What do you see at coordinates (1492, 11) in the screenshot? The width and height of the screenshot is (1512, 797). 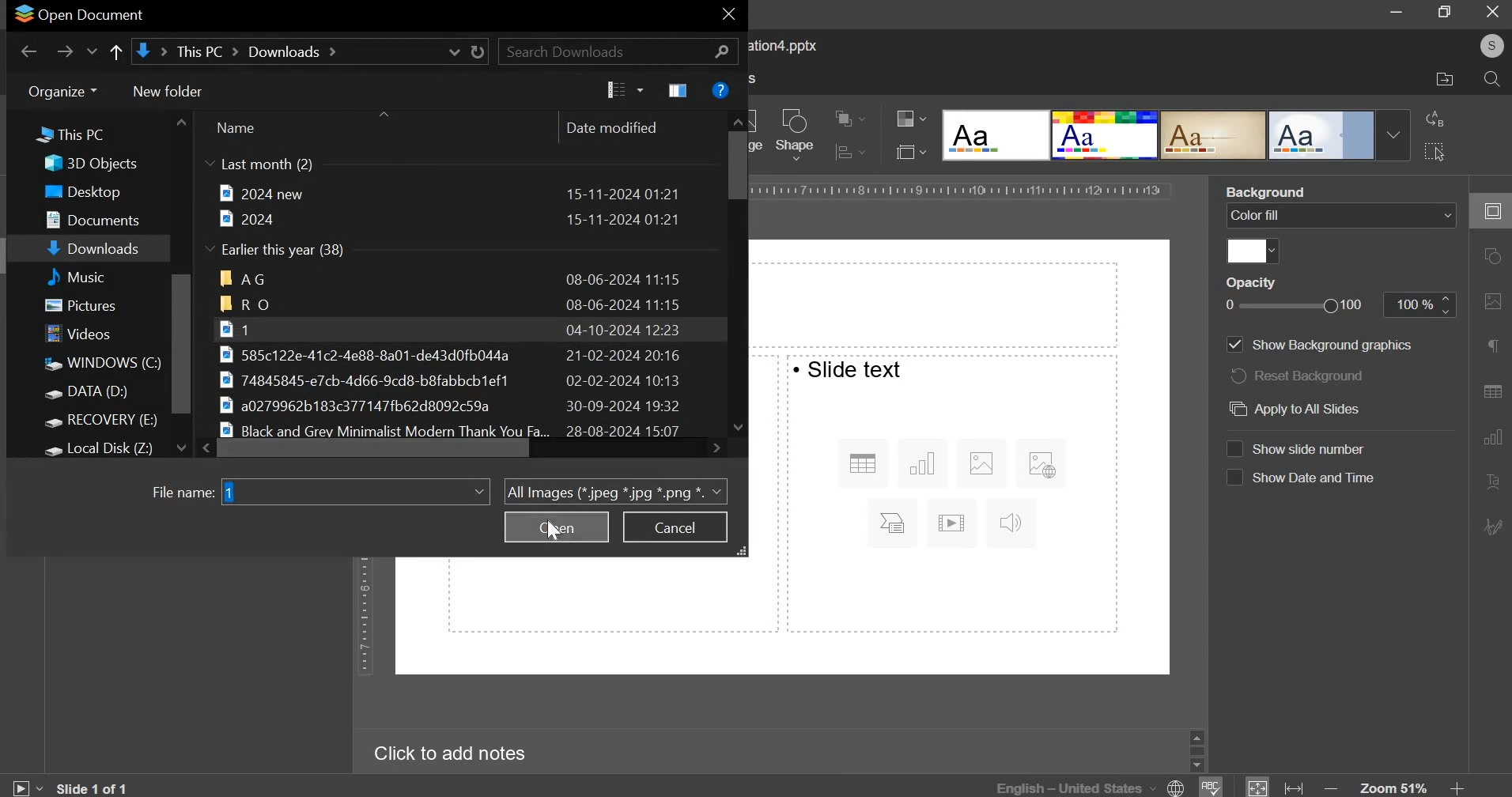 I see `close` at bounding box center [1492, 11].